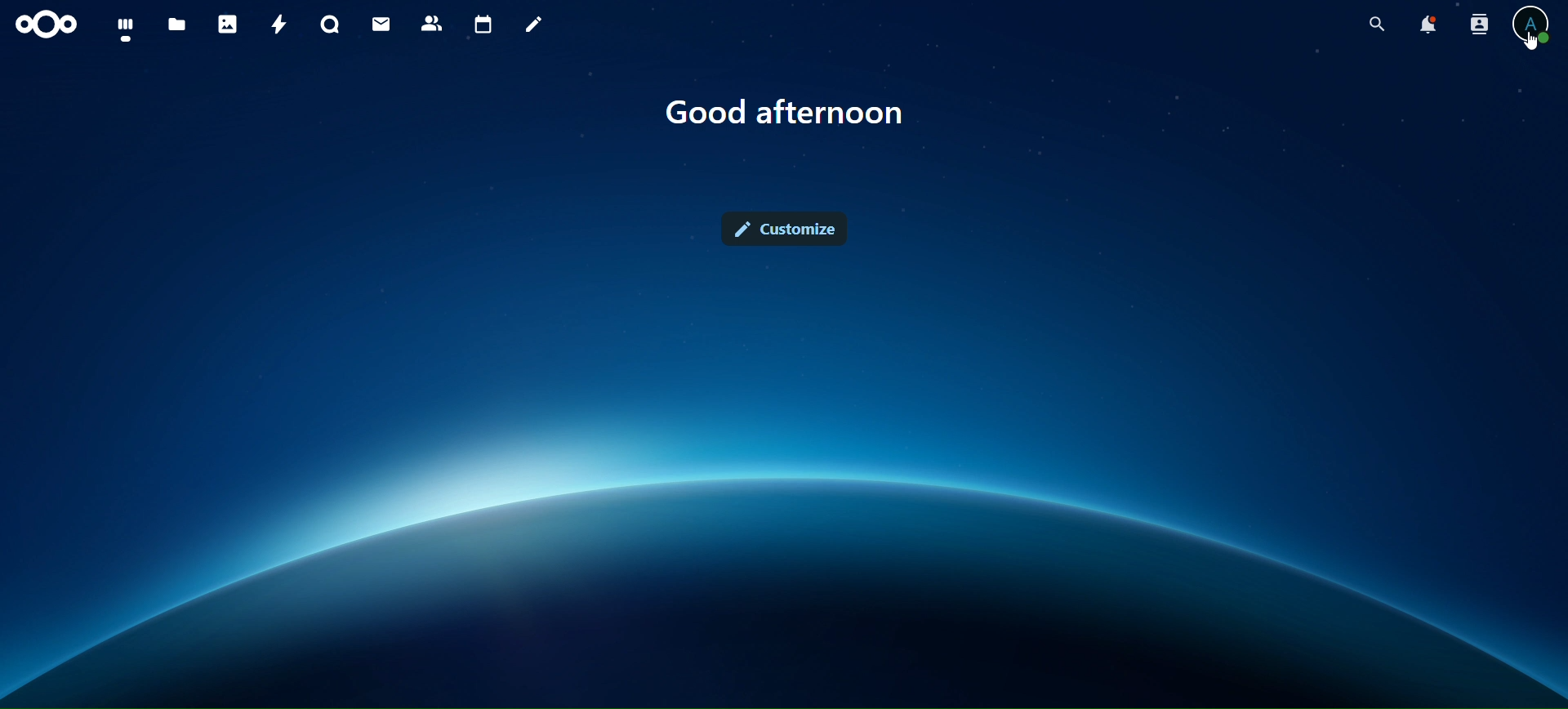 The width and height of the screenshot is (1568, 709). I want to click on view profile, so click(1532, 24).